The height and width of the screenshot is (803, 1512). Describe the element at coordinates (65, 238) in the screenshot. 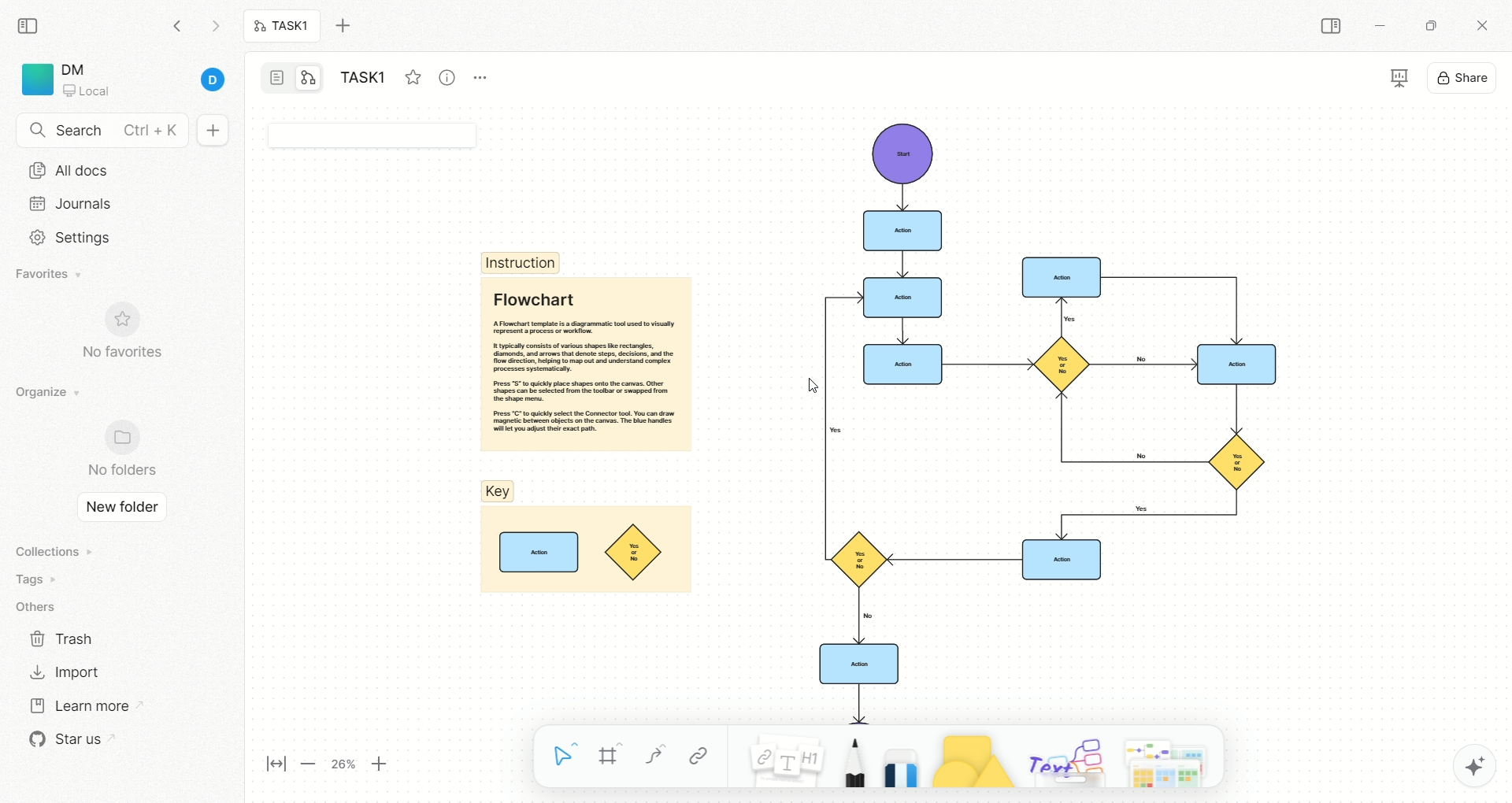

I see `settings` at that location.